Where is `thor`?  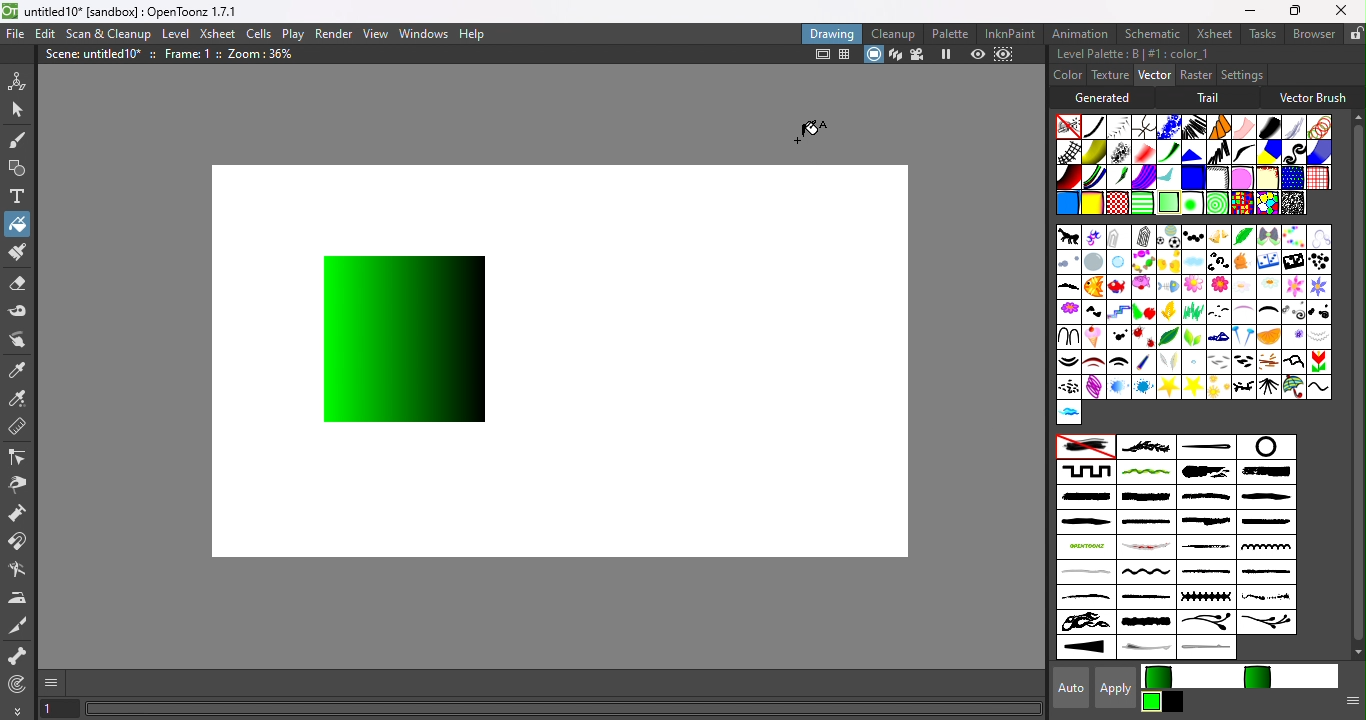
thor is located at coordinates (1242, 387).